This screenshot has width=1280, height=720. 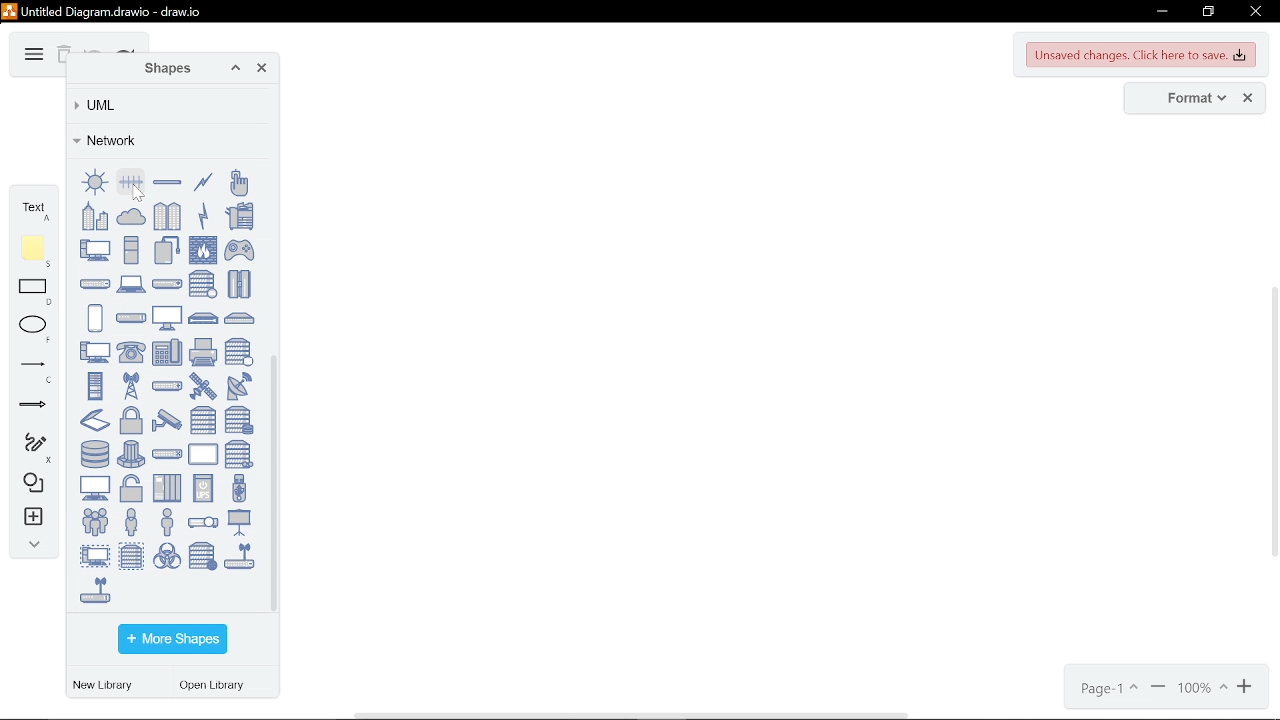 What do you see at coordinates (203, 523) in the screenshot?
I see `video projector` at bounding box center [203, 523].